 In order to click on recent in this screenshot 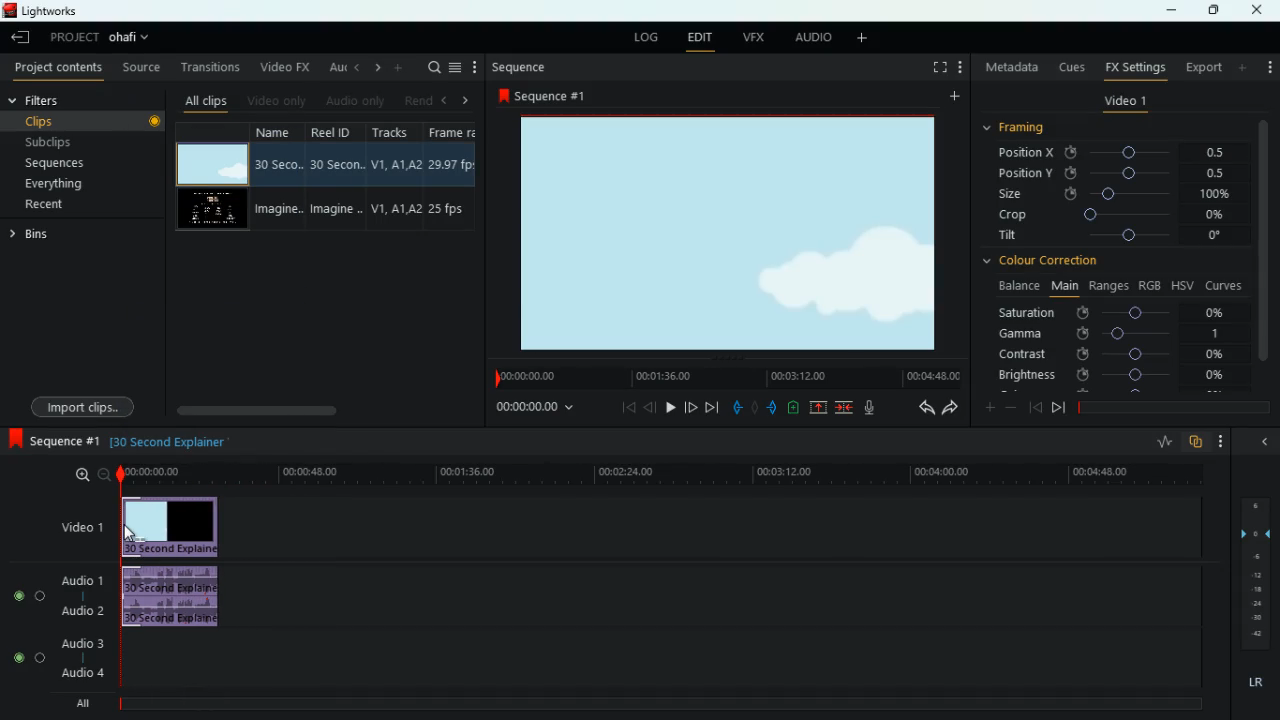, I will do `click(50, 207)`.